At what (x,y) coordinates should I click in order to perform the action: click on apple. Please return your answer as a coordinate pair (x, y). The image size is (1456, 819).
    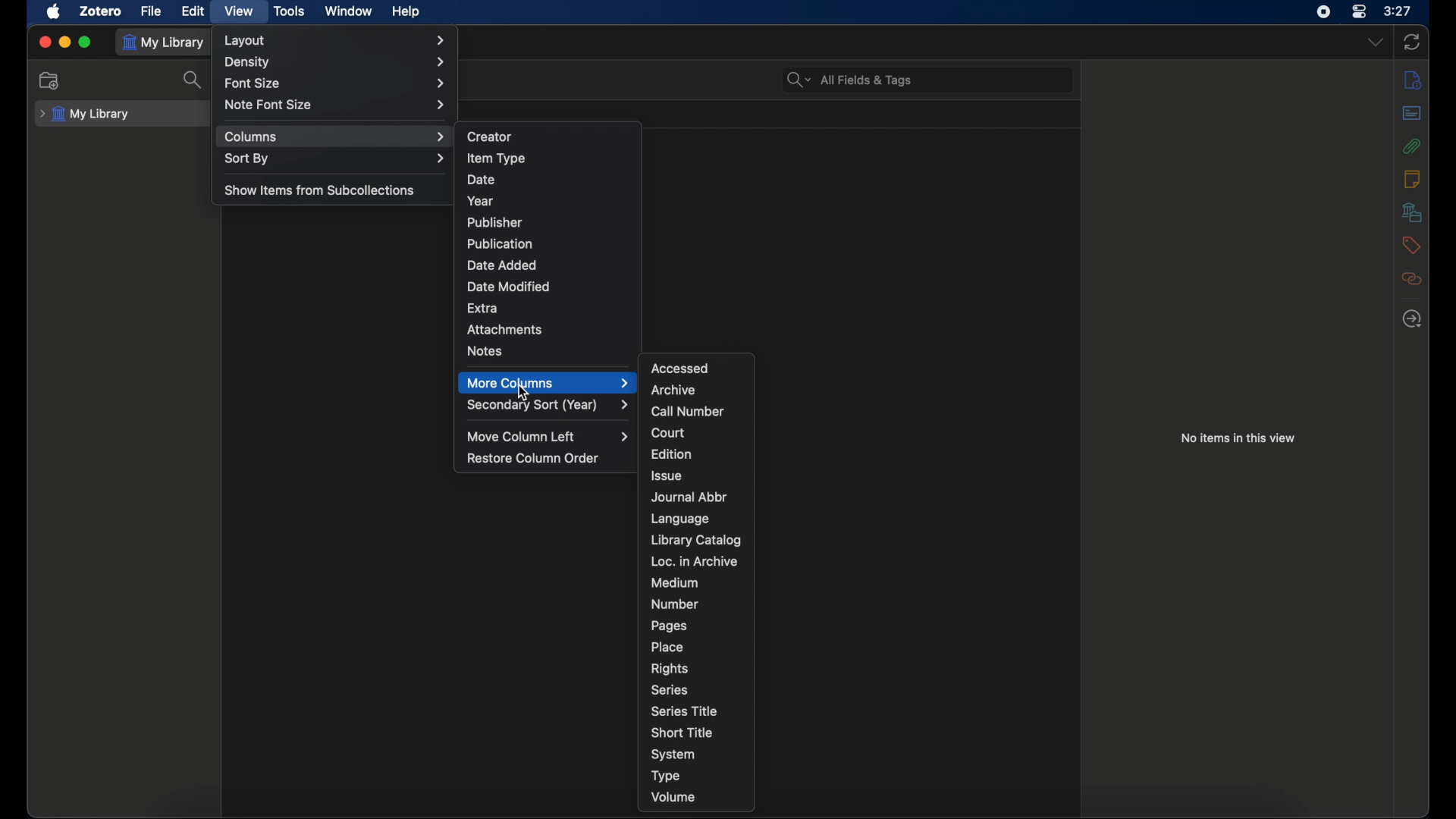
    Looking at the image, I should click on (54, 11).